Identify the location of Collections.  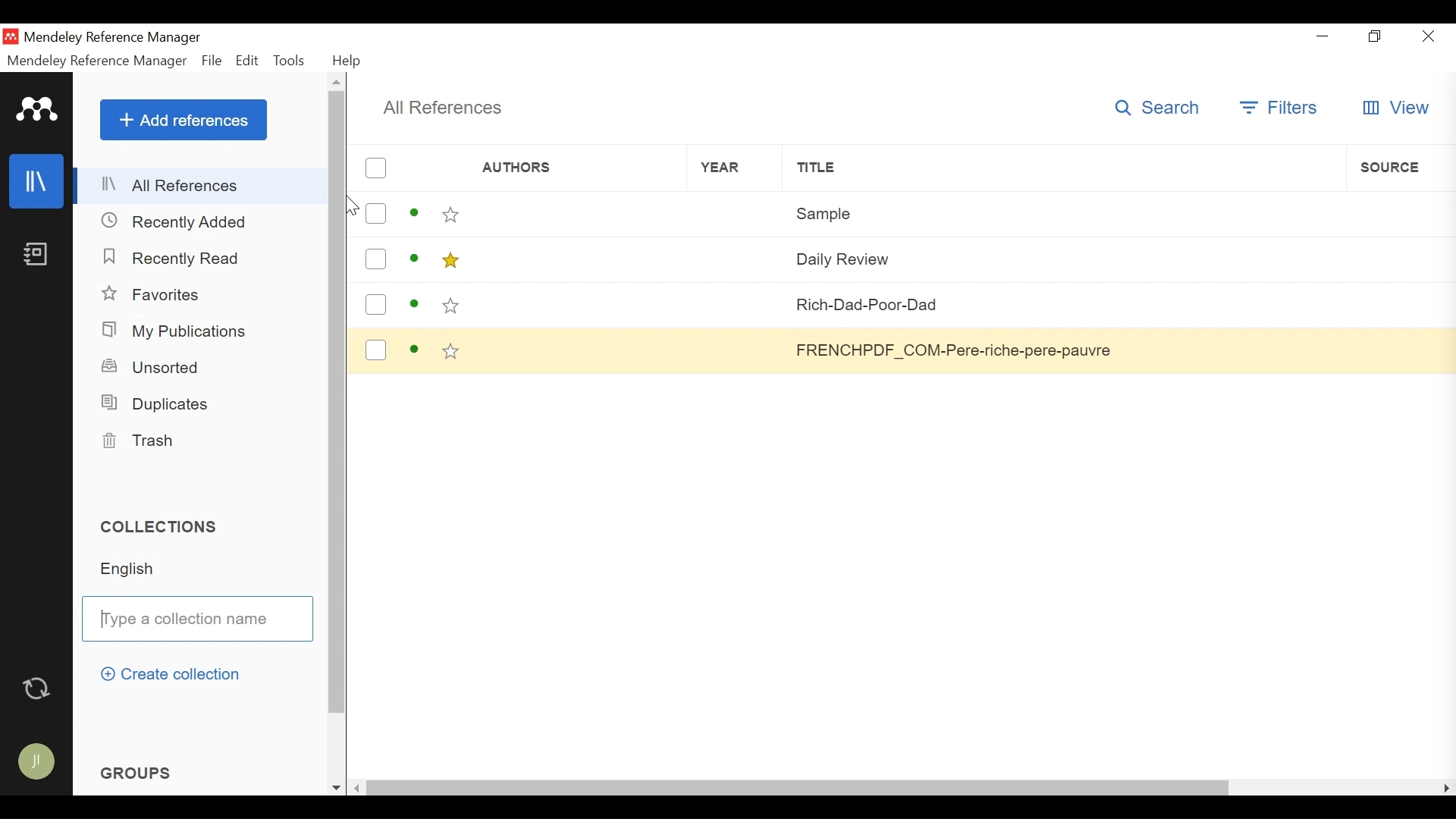
(166, 526).